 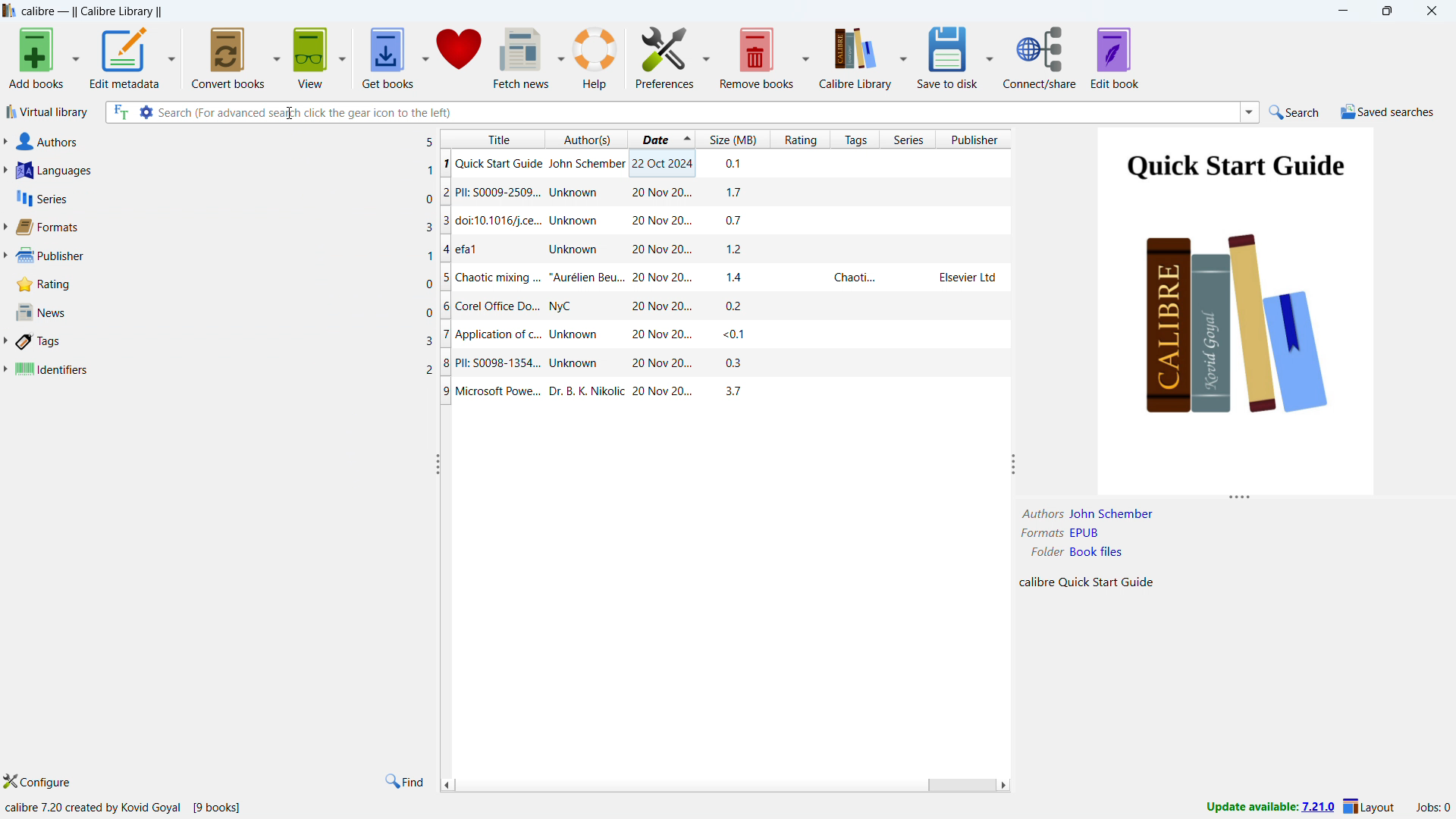 What do you see at coordinates (277, 56) in the screenshot?
I see `convert books options` at bounding box center [277, 56].